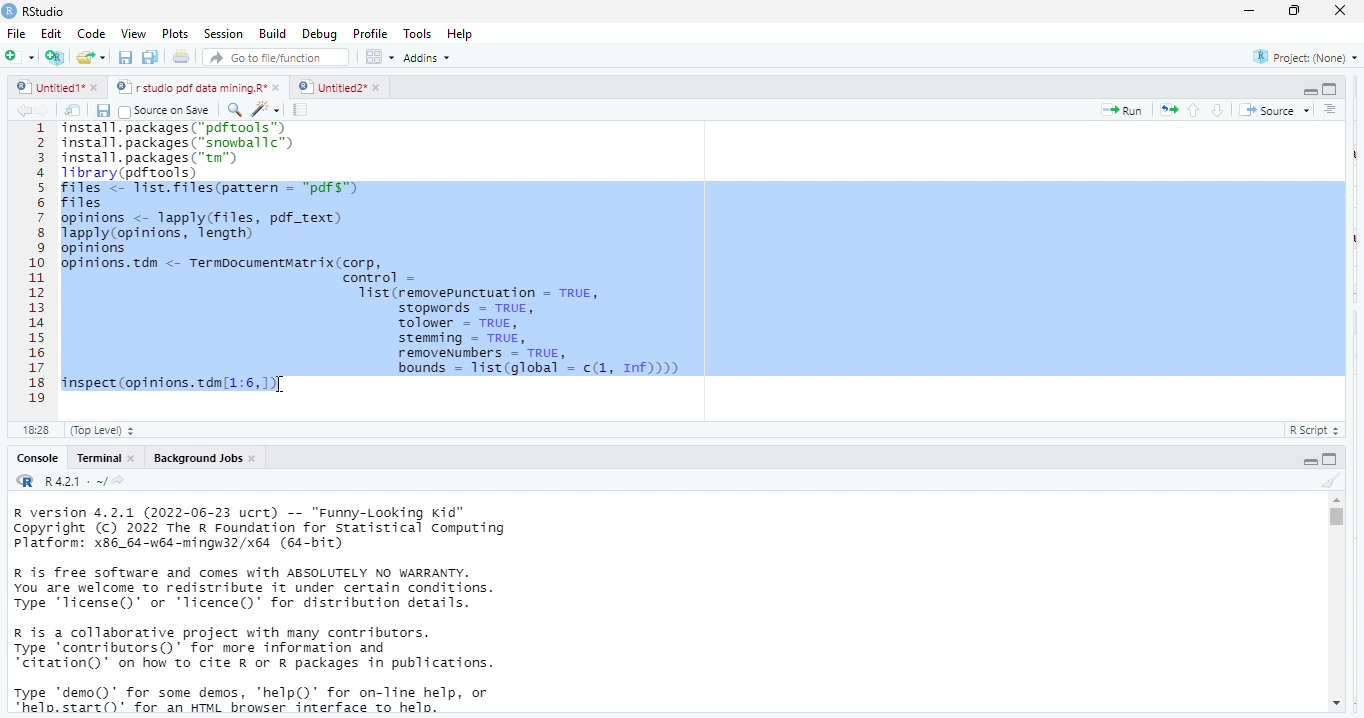 This screenshot has height=718, width=1364. Describe the element at coordinates (1342, 11) in the screenshot. I see `close` at that location.